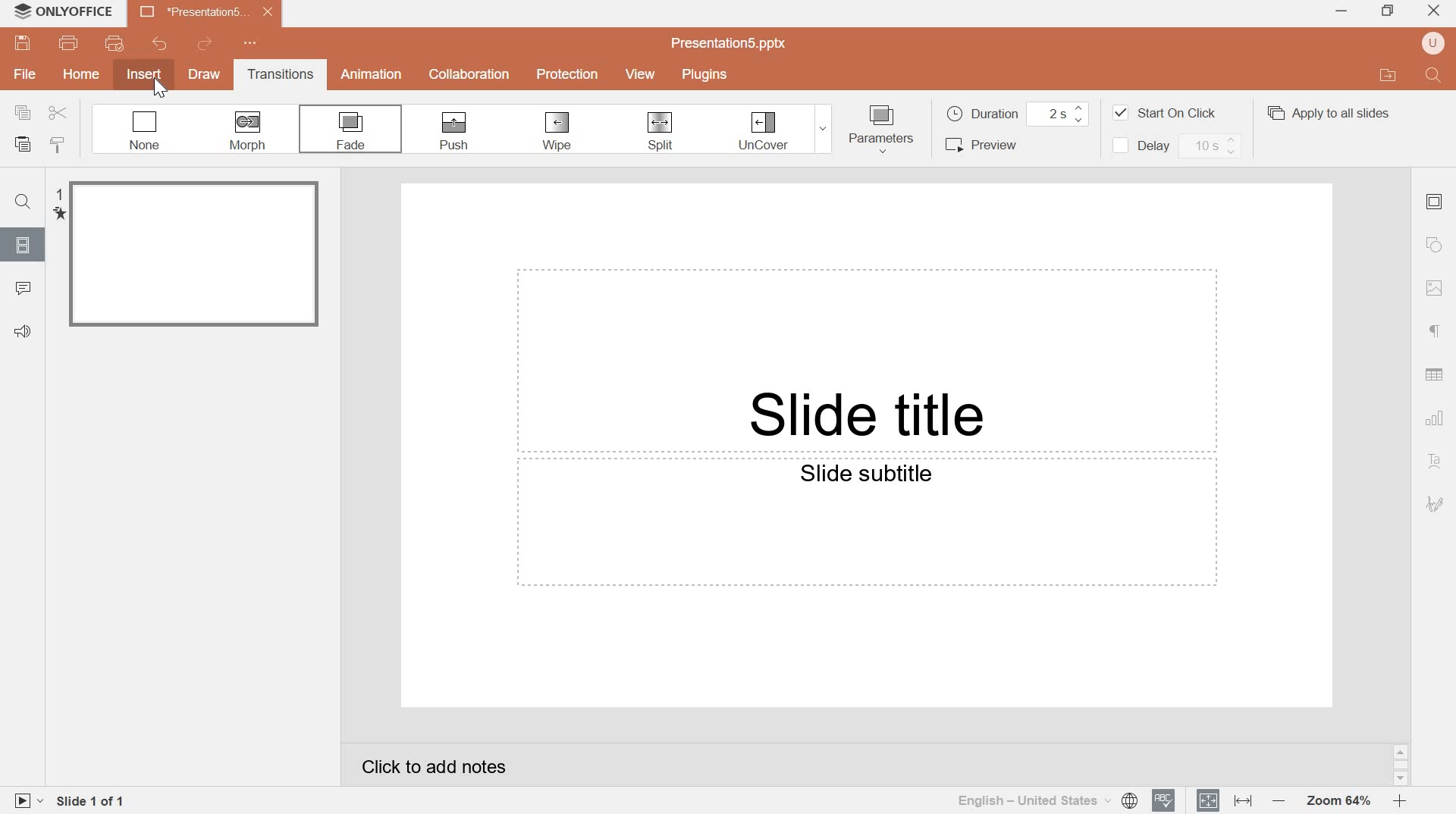 The width and height of the screenshot is (1456, 814). I want to click on Slide transition - Fade, so click(194, 255).